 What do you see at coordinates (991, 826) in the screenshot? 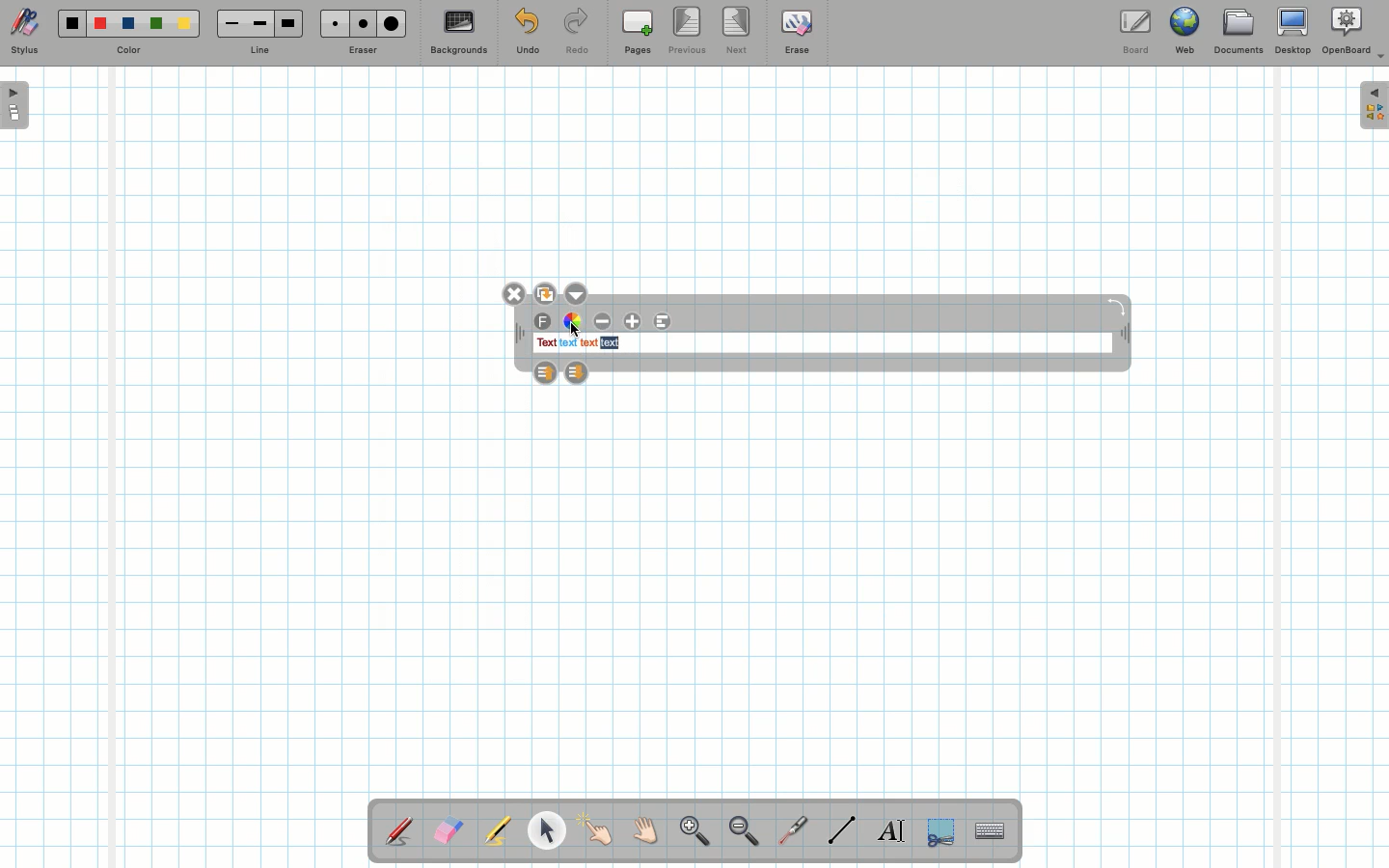
I see `Text input` at bounding box center [991, 826].